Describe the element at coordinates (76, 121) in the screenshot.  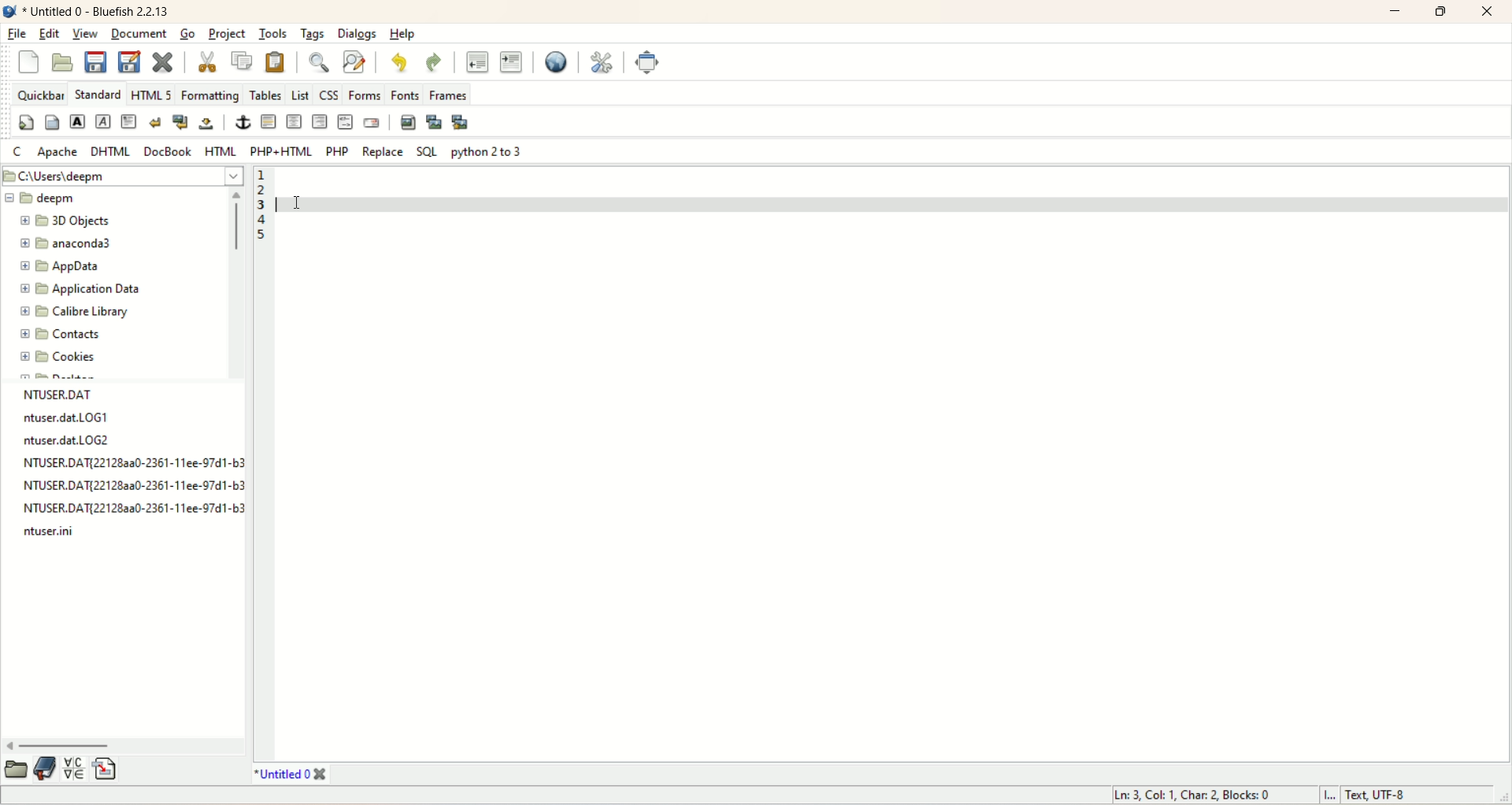
I see `strong` at that location.